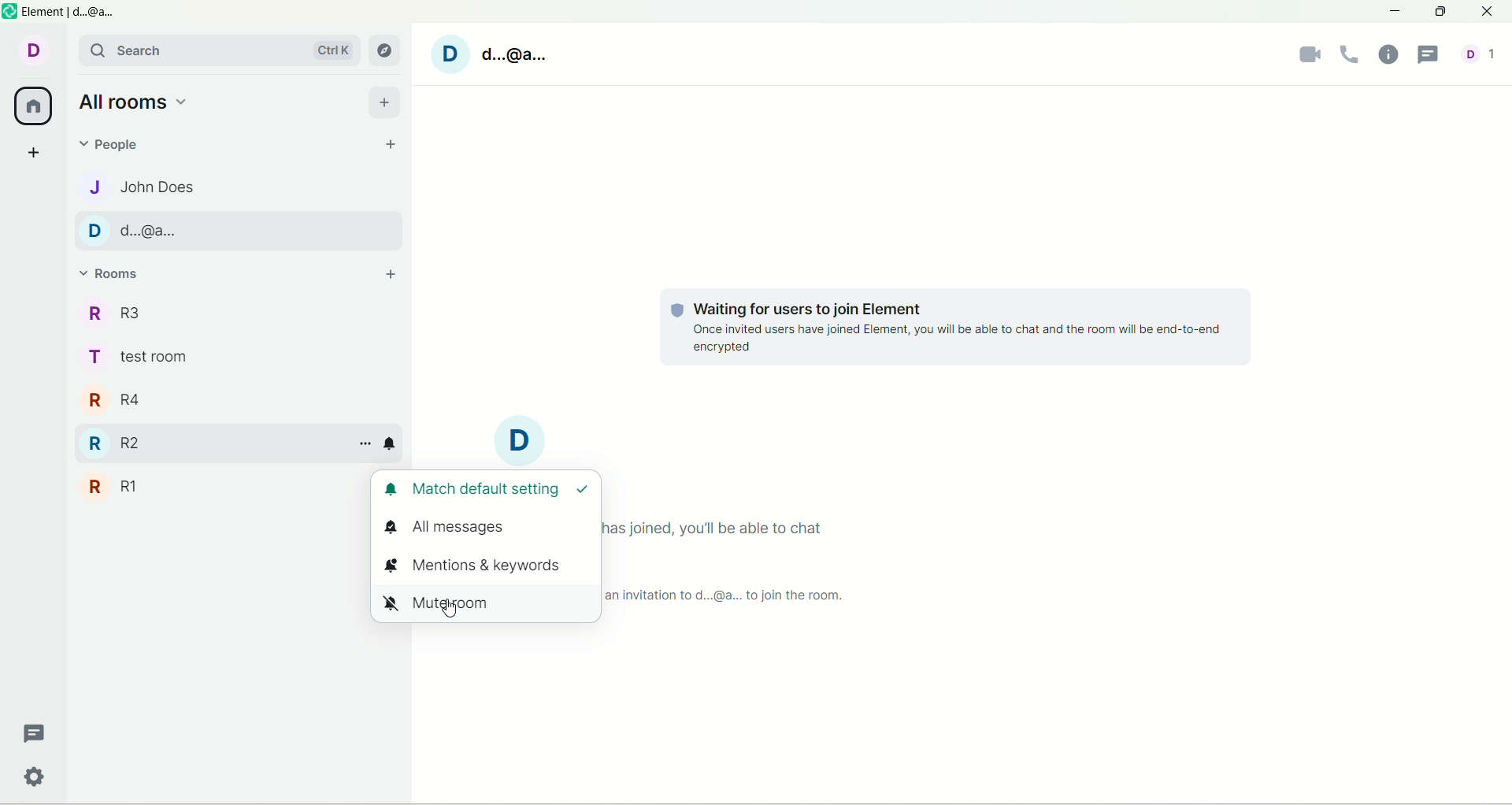  I want to click on video call, so click(1310, 54).